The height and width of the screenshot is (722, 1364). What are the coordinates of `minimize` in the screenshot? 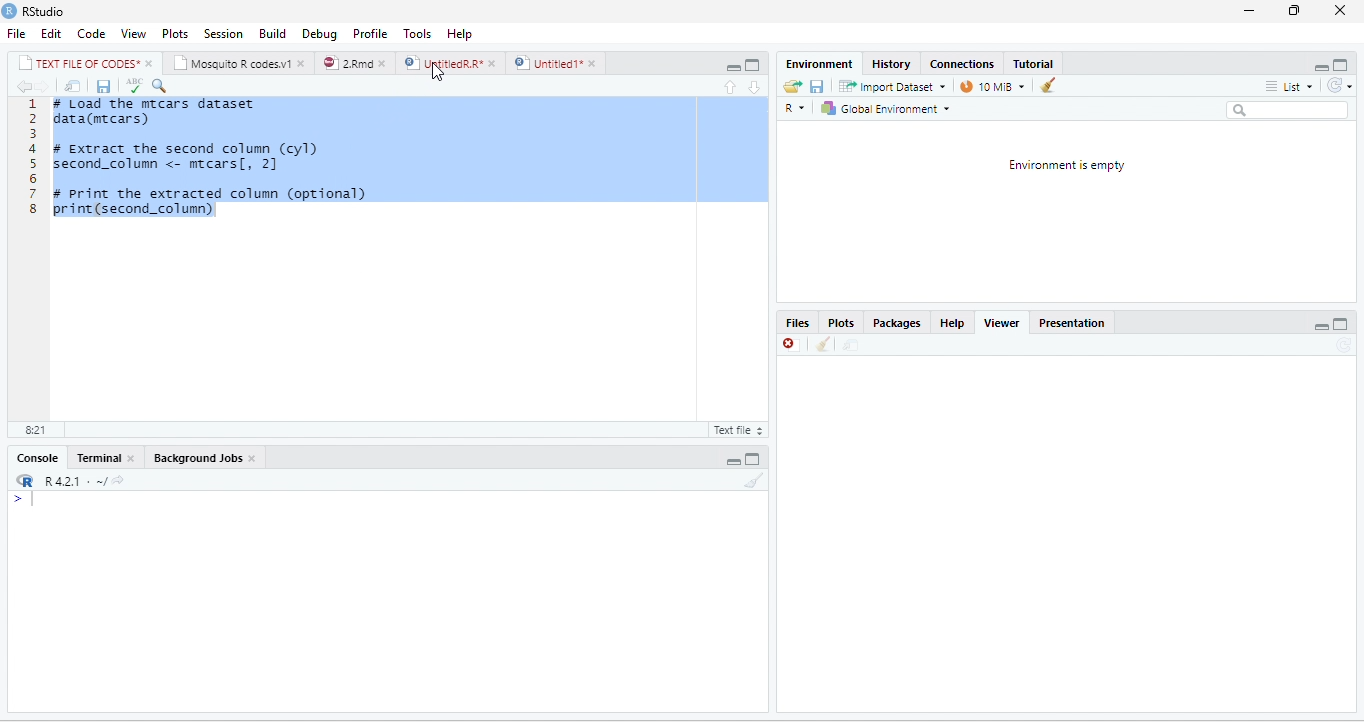 It's located at (754, 64).